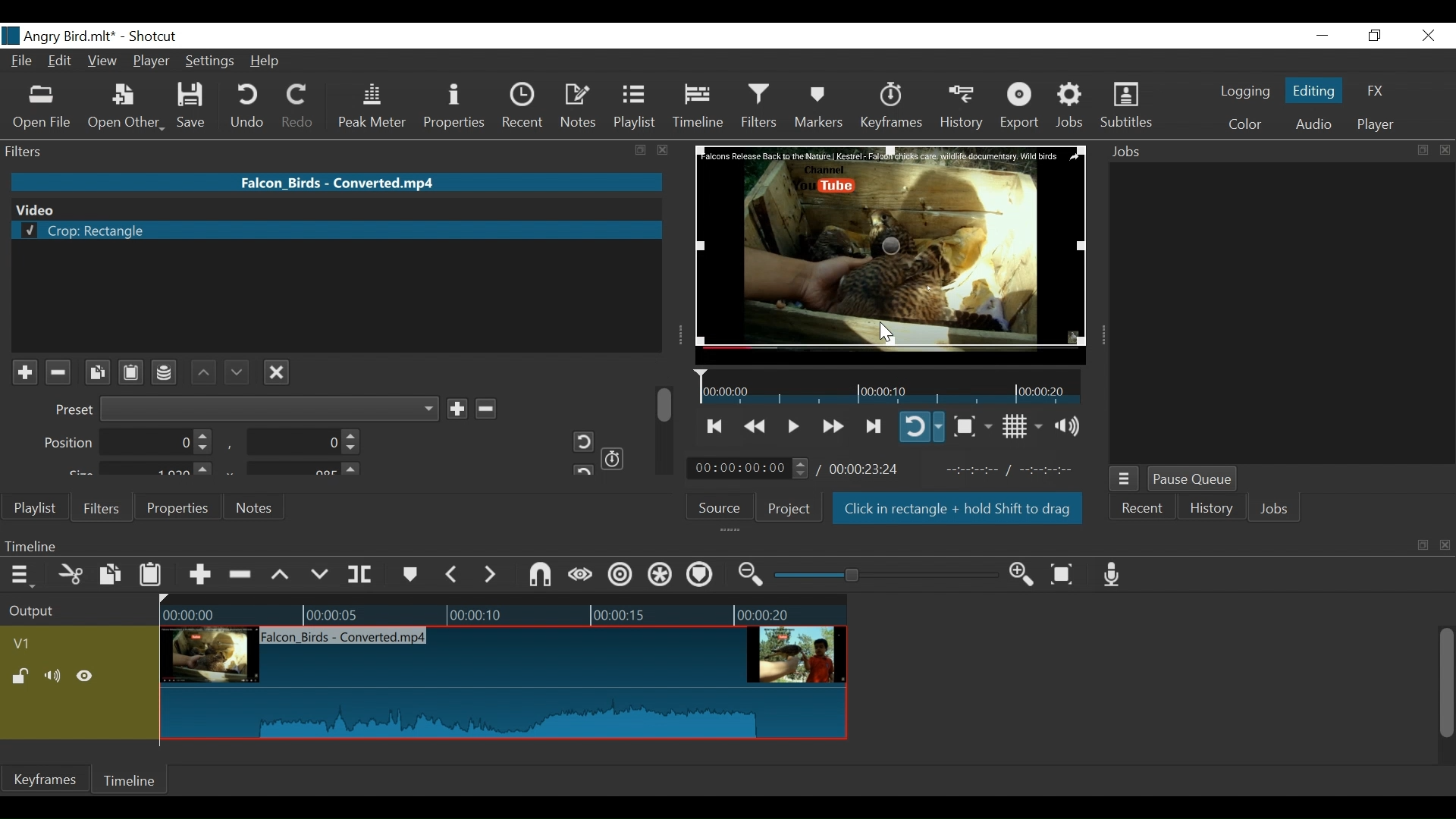  Describe the element at coordinates (579, 106) in the screenshot. I see `Notes` at that location.